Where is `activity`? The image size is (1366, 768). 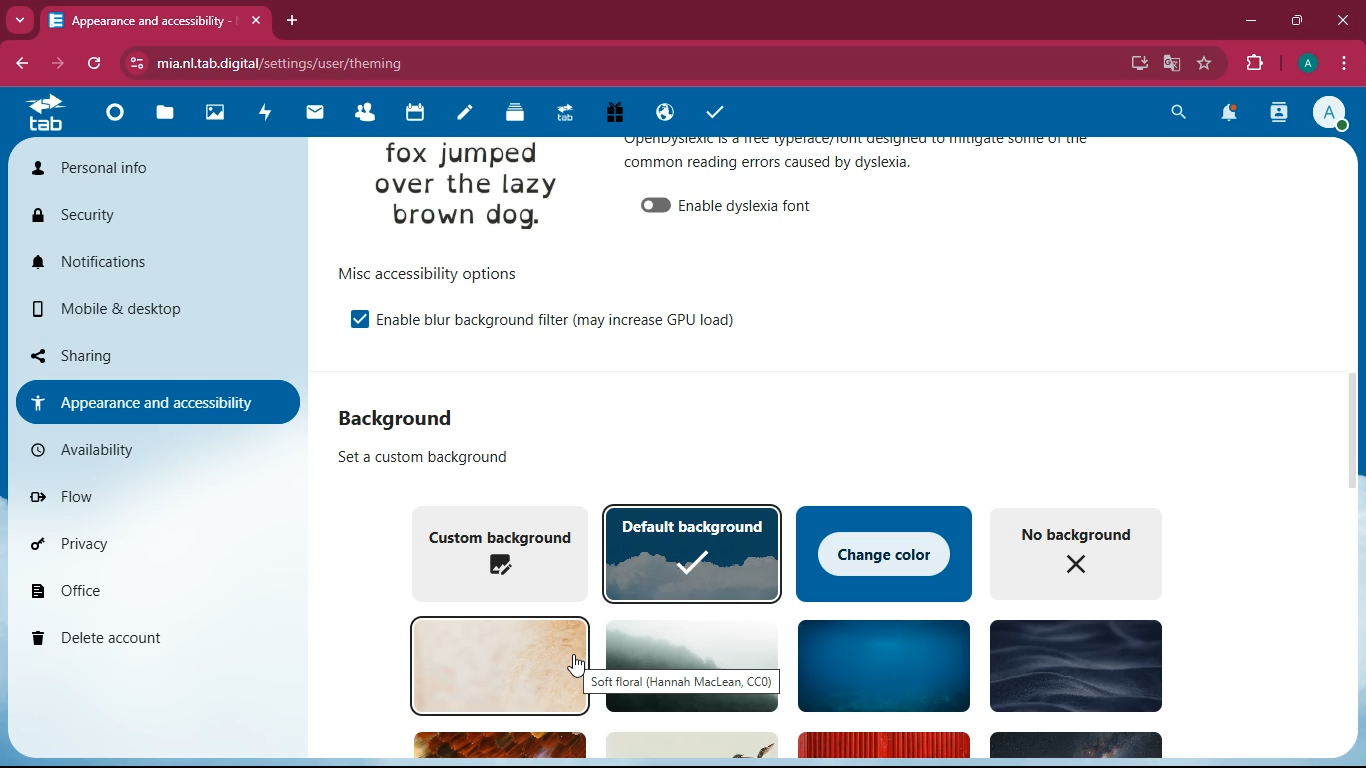
activity is located at coordinates (1280, 115).